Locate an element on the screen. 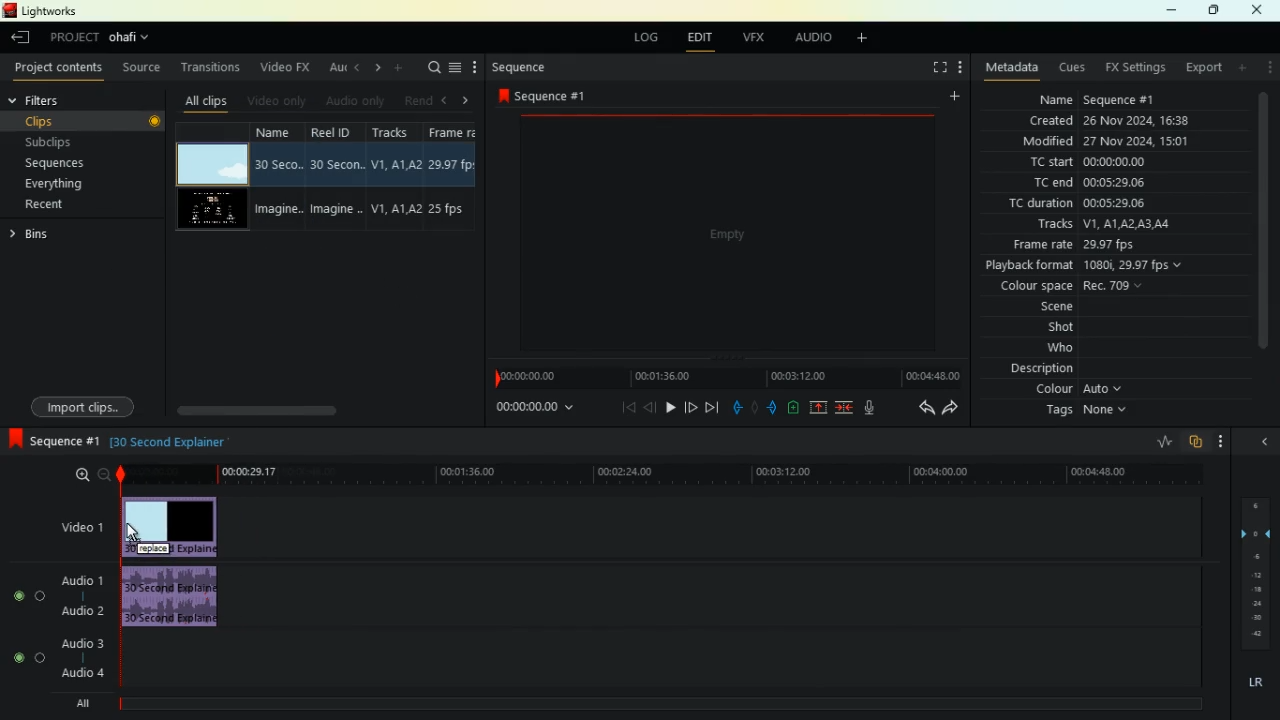 This screenshot has width=1280, height=720. maximize is located at coordinates (1211, 11).